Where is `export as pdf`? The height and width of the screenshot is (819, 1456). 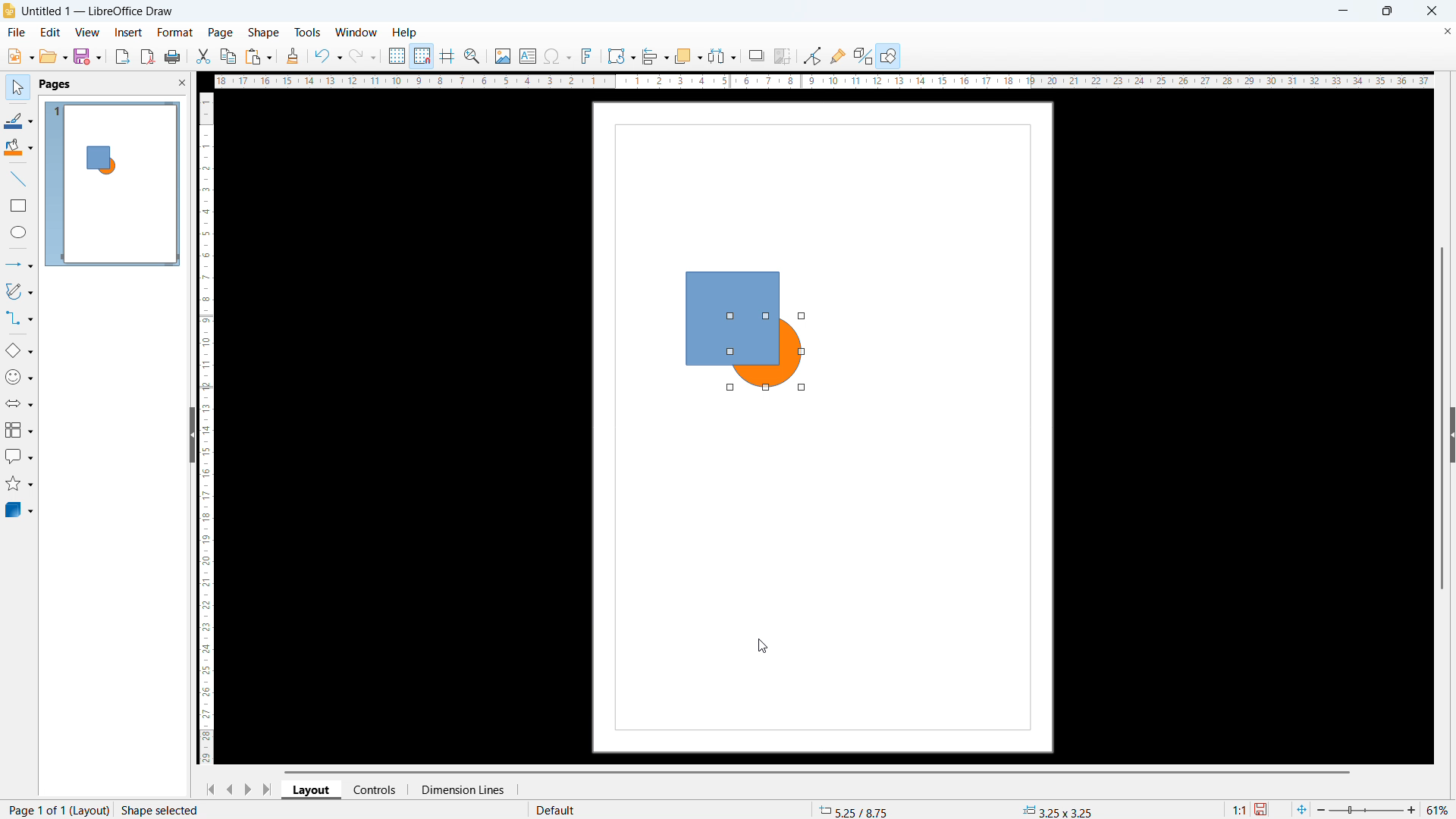 export as pdf is located at coordinates (148, 57).